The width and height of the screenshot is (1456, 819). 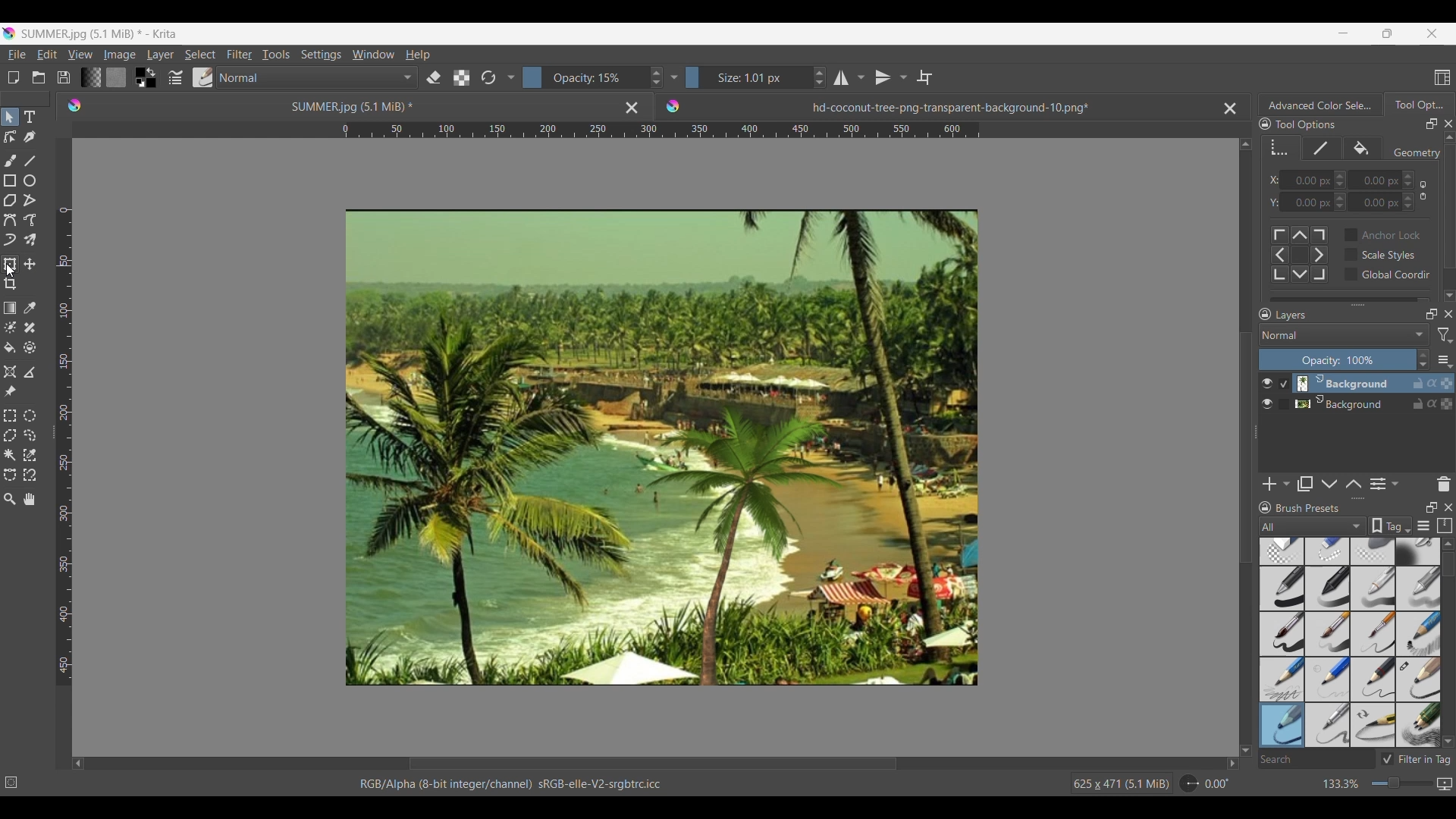 I want to click on Lock Brush Presets panel, so click(x=1266, y=507).